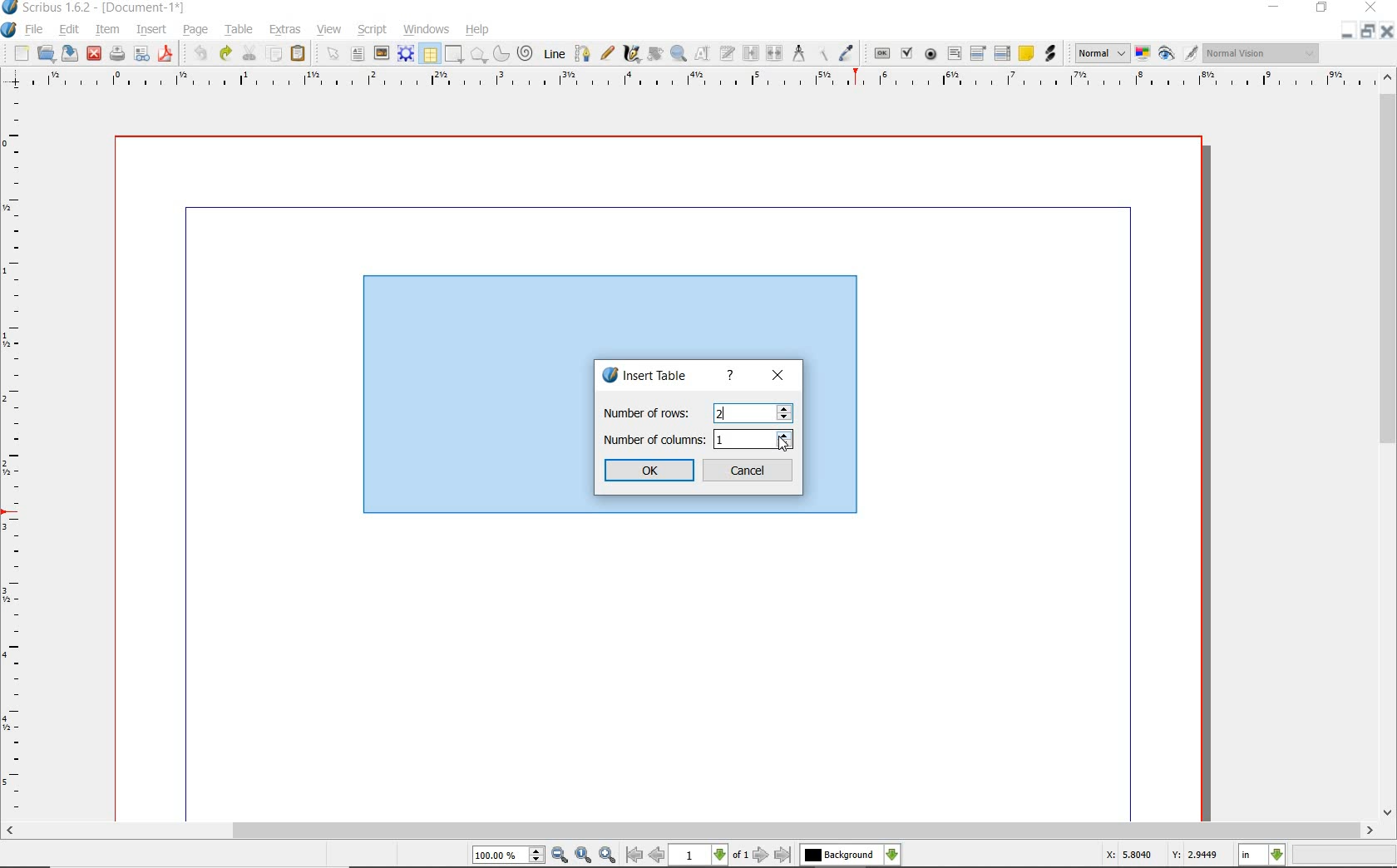 The image size is (1397, 868). What do you see at coordinates (1259, 53) in the screenshot?
I see `visual appearance of the display` at bounding box center [1259, 53].